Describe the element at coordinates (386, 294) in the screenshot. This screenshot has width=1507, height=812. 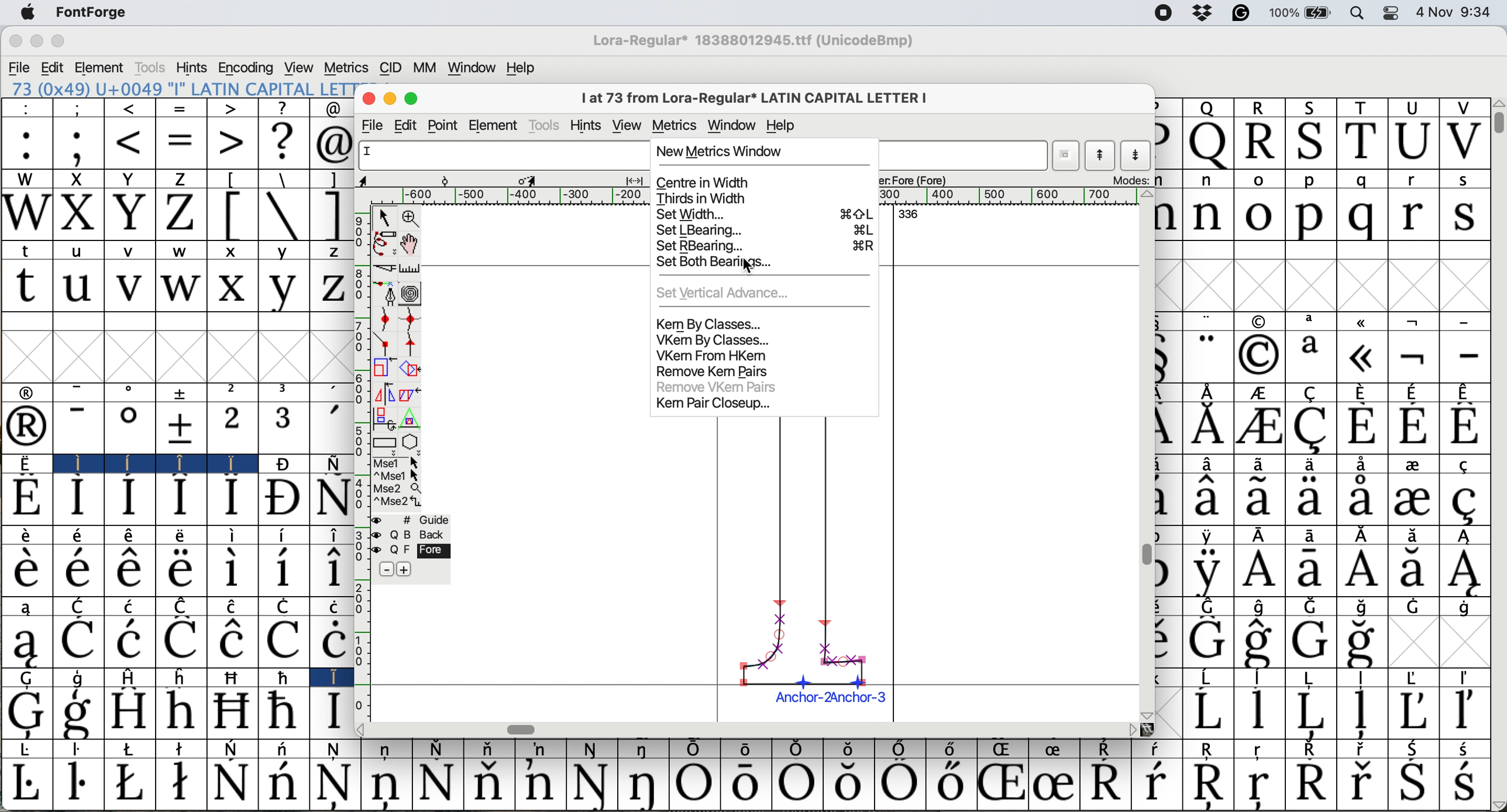
I see `add a point then drag out its central points` at that location.